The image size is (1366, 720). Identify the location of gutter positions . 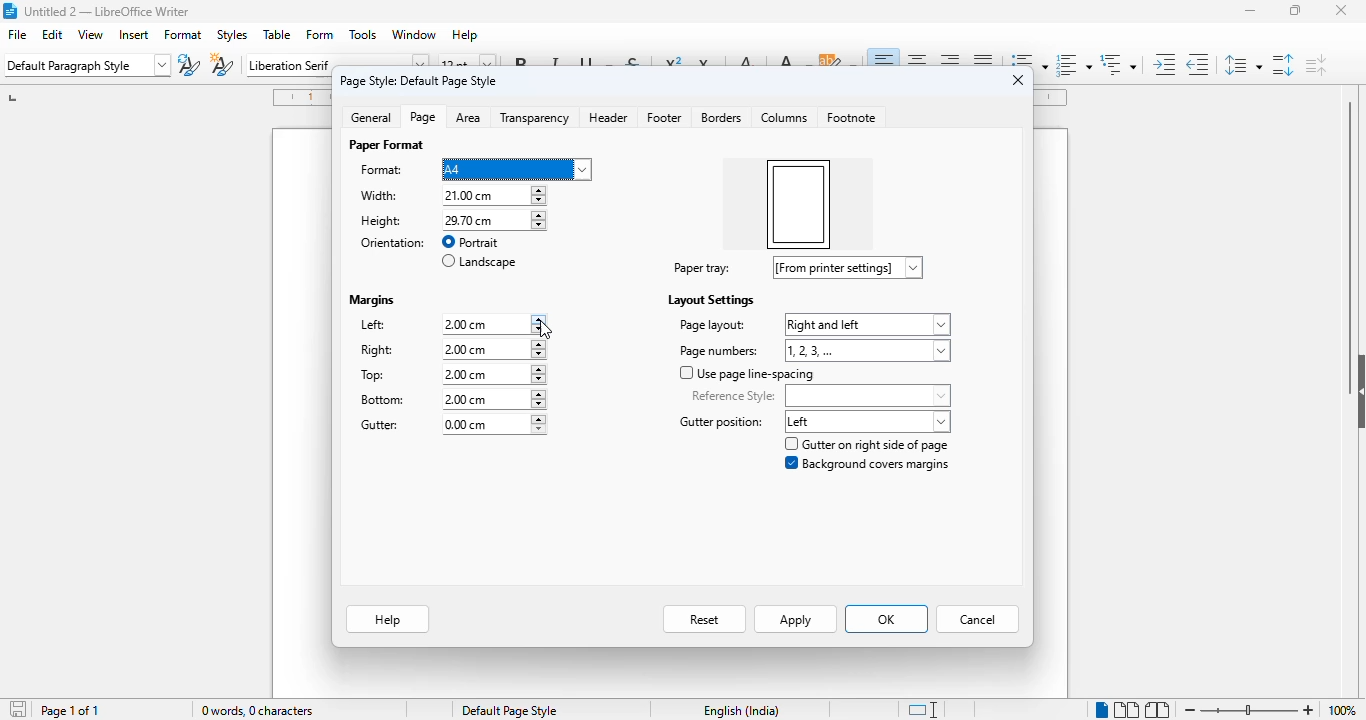
(708, 423).